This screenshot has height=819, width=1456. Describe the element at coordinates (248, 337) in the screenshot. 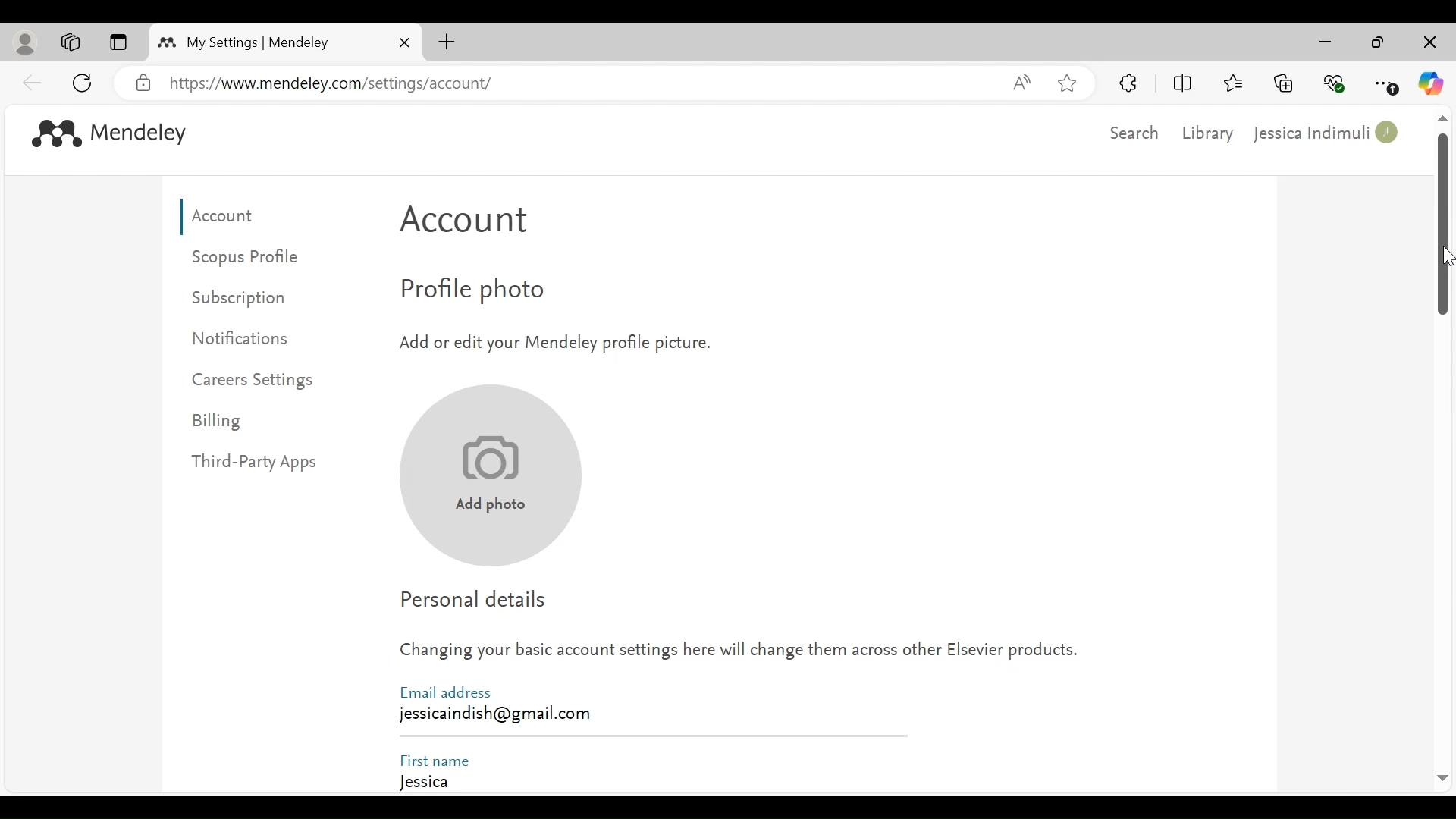

I see `Notifications` at that location.